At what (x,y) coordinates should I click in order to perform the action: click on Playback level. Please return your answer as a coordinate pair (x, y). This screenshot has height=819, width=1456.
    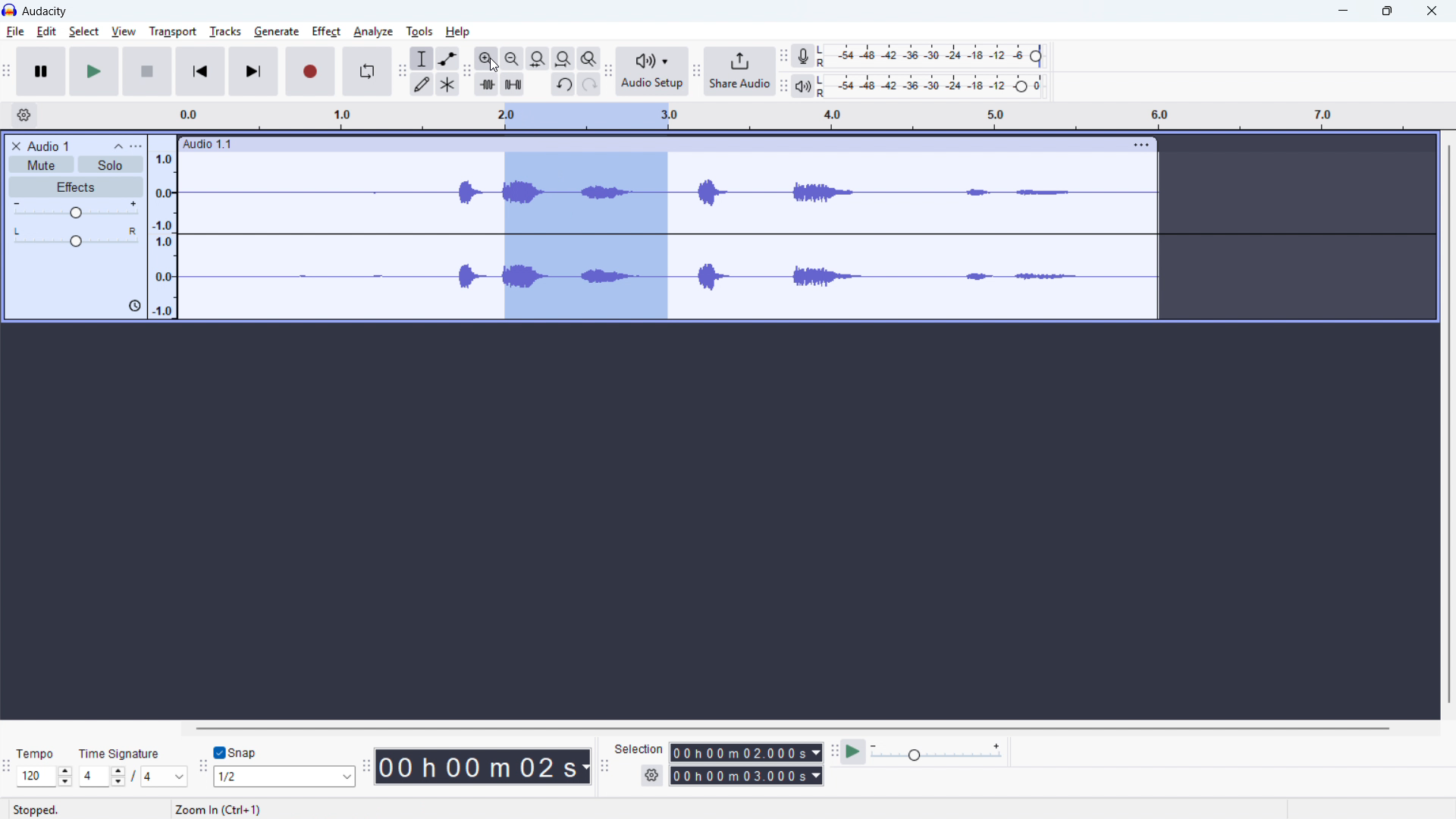
    Looking at the image, I should click on (935, 85).